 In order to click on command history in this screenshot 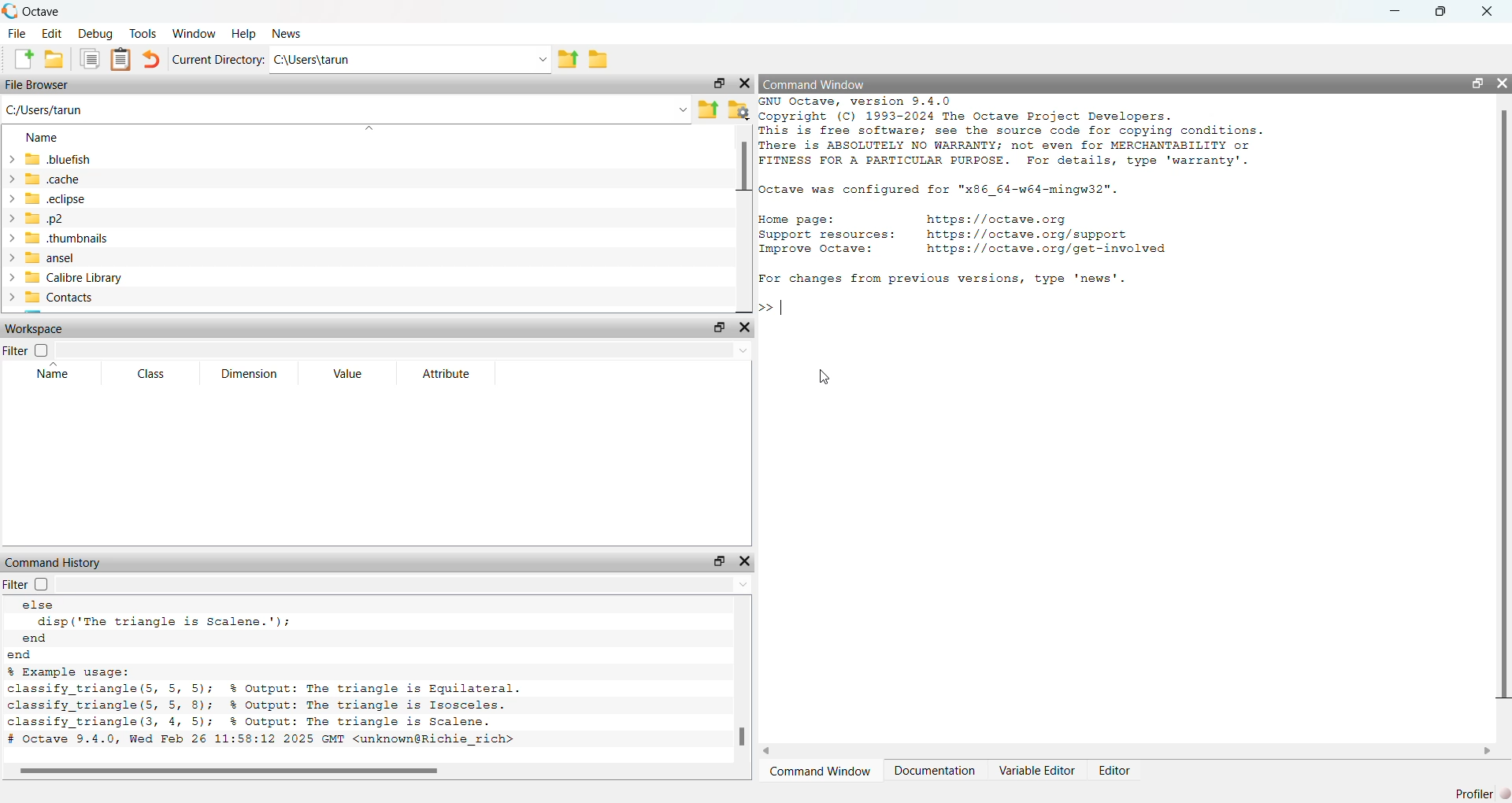, I will do `click(55, 562)`.